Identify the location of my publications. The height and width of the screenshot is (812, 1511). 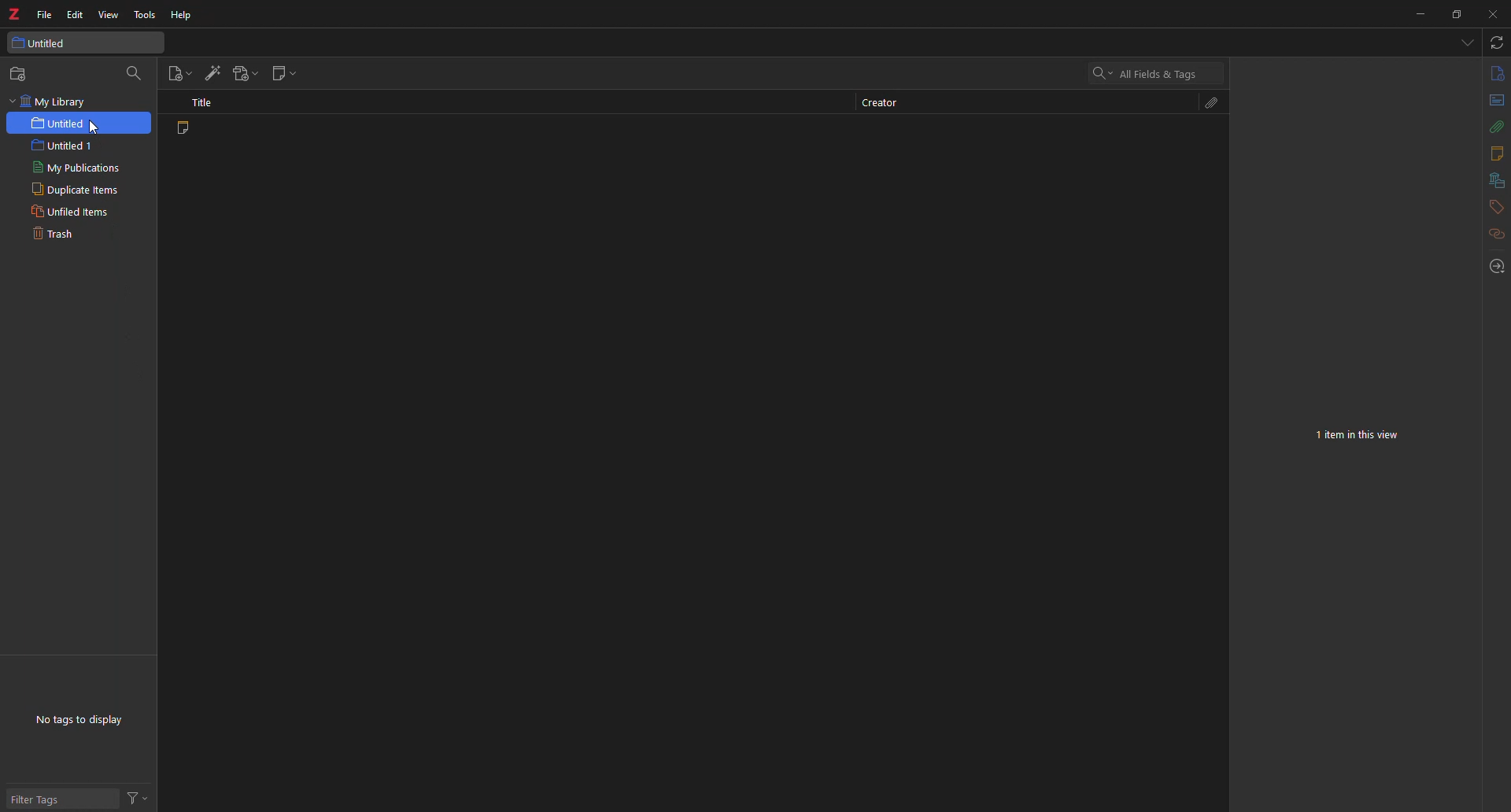
(78, 168).